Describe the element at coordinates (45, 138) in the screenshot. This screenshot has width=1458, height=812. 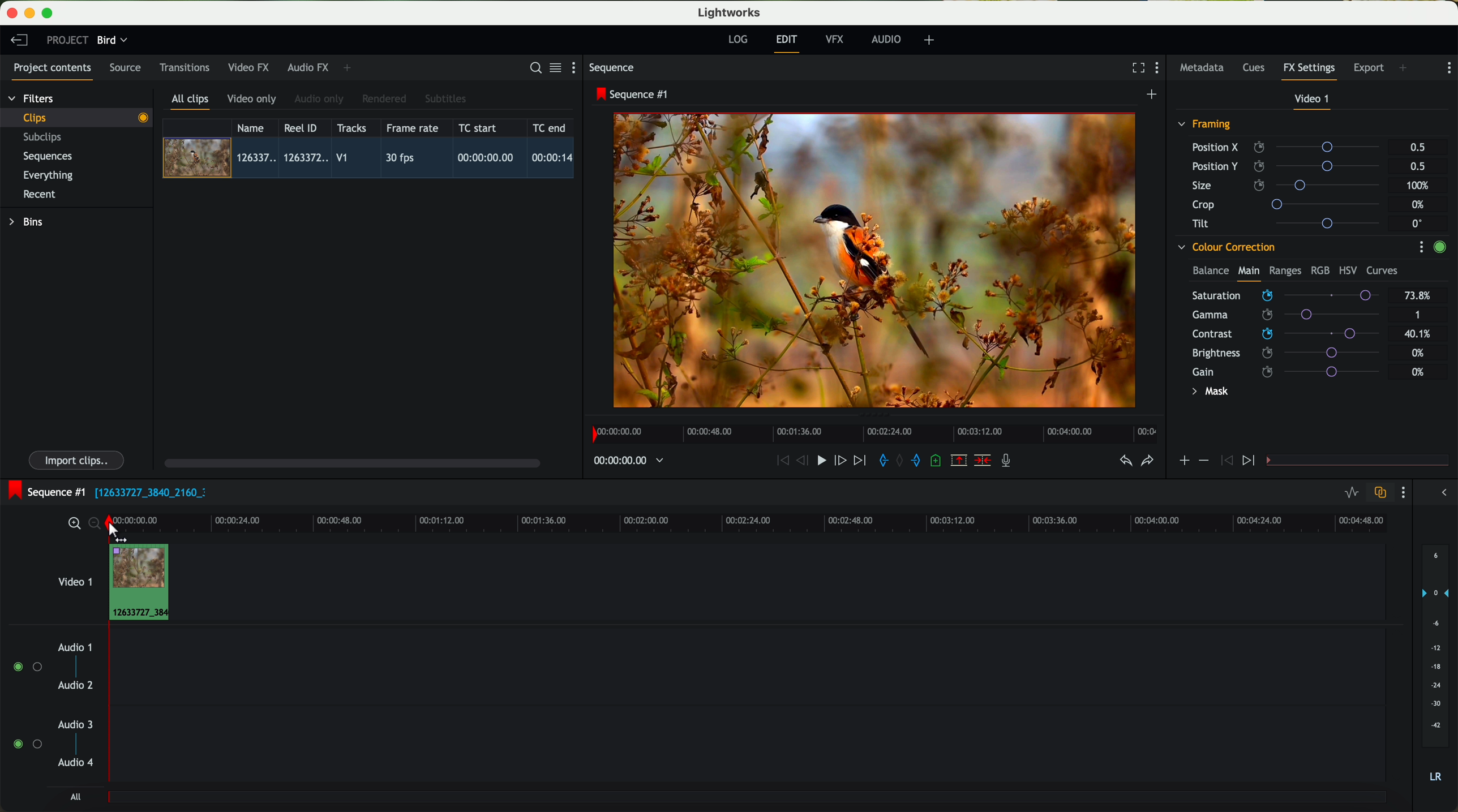
I see `subclips` at that location.